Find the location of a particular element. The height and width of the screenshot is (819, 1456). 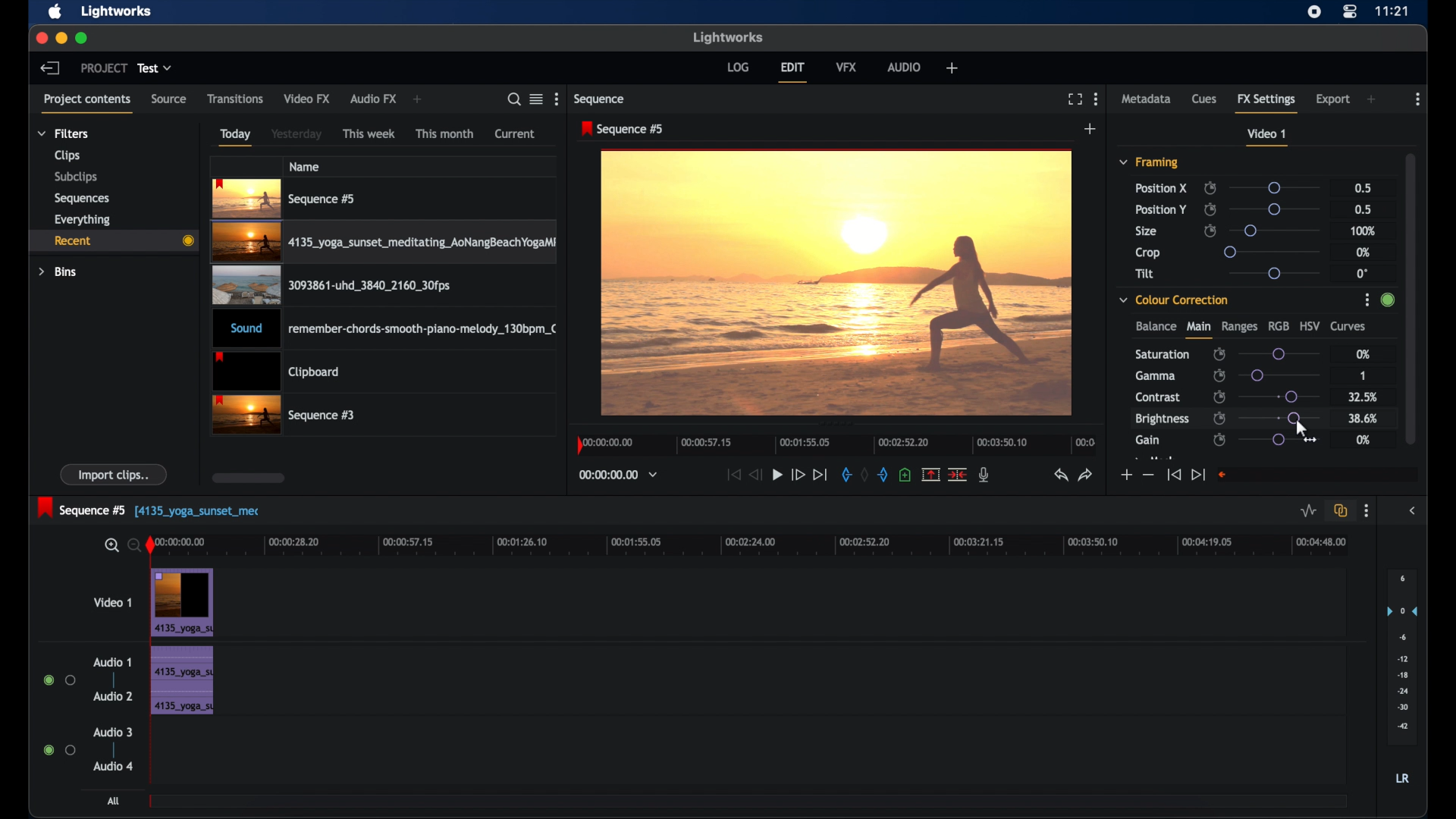

empty field is located at coordinates (1316, 475).